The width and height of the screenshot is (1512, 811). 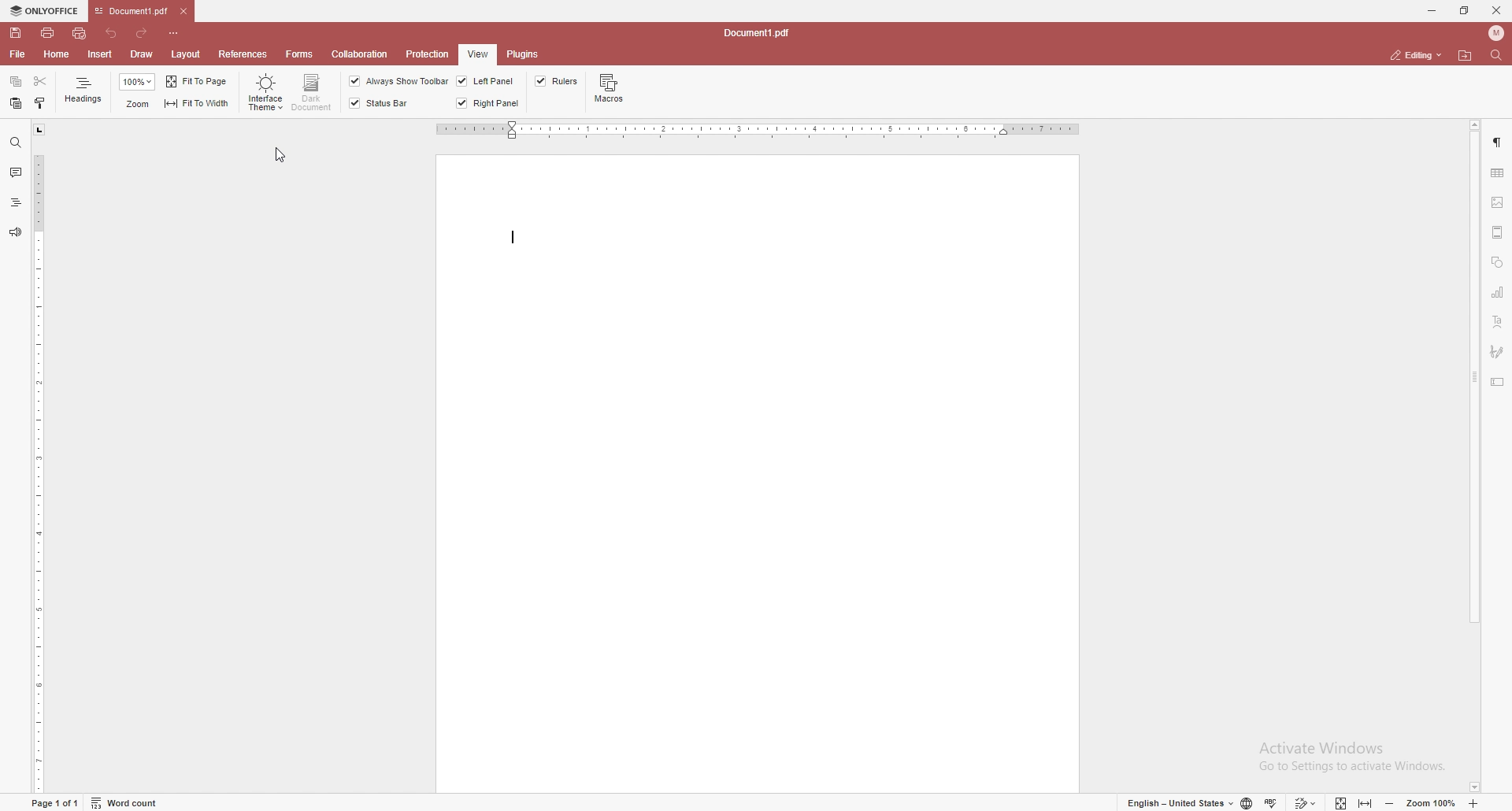 I want to click on spell check, so click(x=1273, y=802).